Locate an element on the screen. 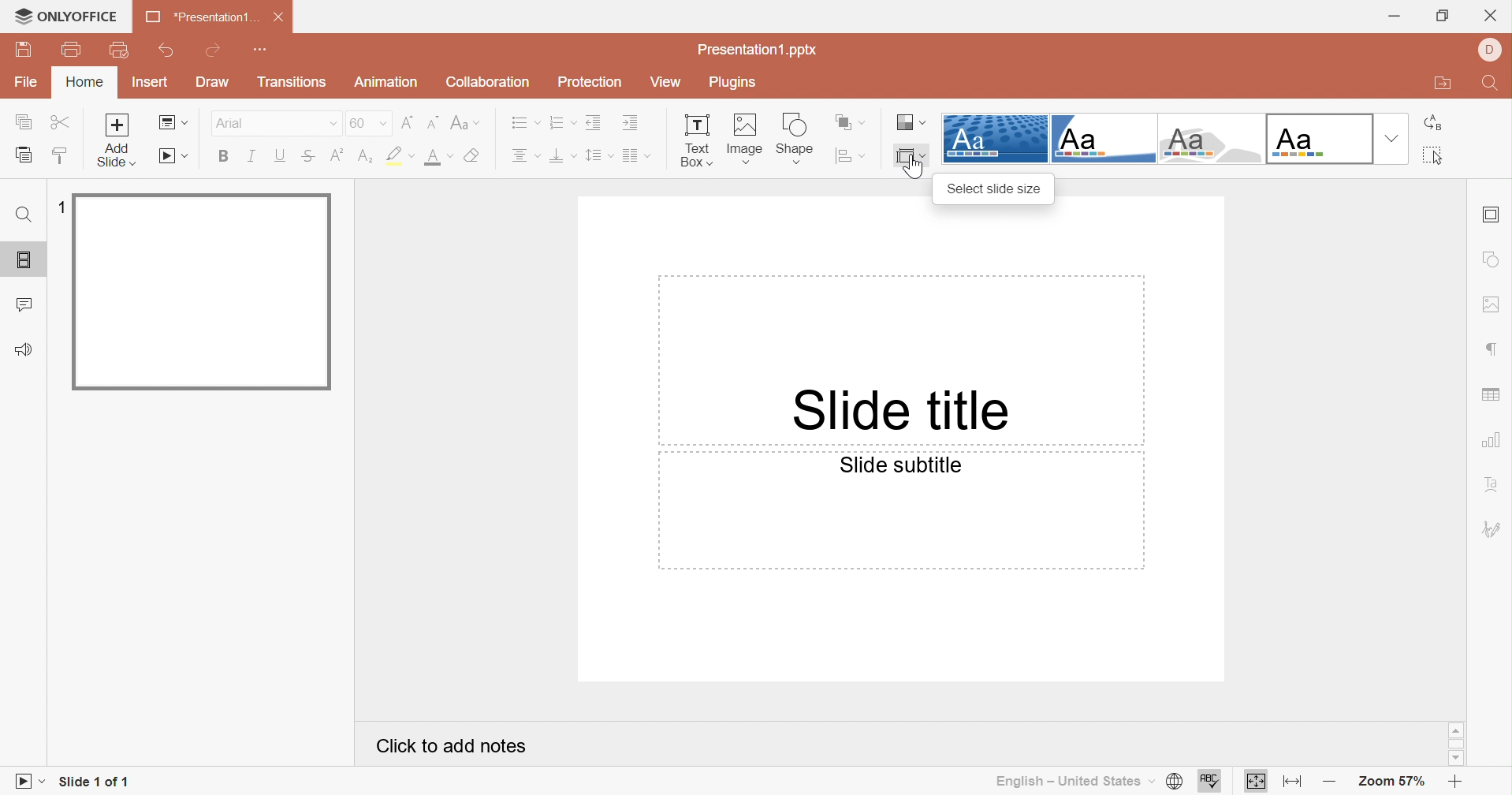 The image size is (1512, 795). Close is located at coordinates (281, 17).